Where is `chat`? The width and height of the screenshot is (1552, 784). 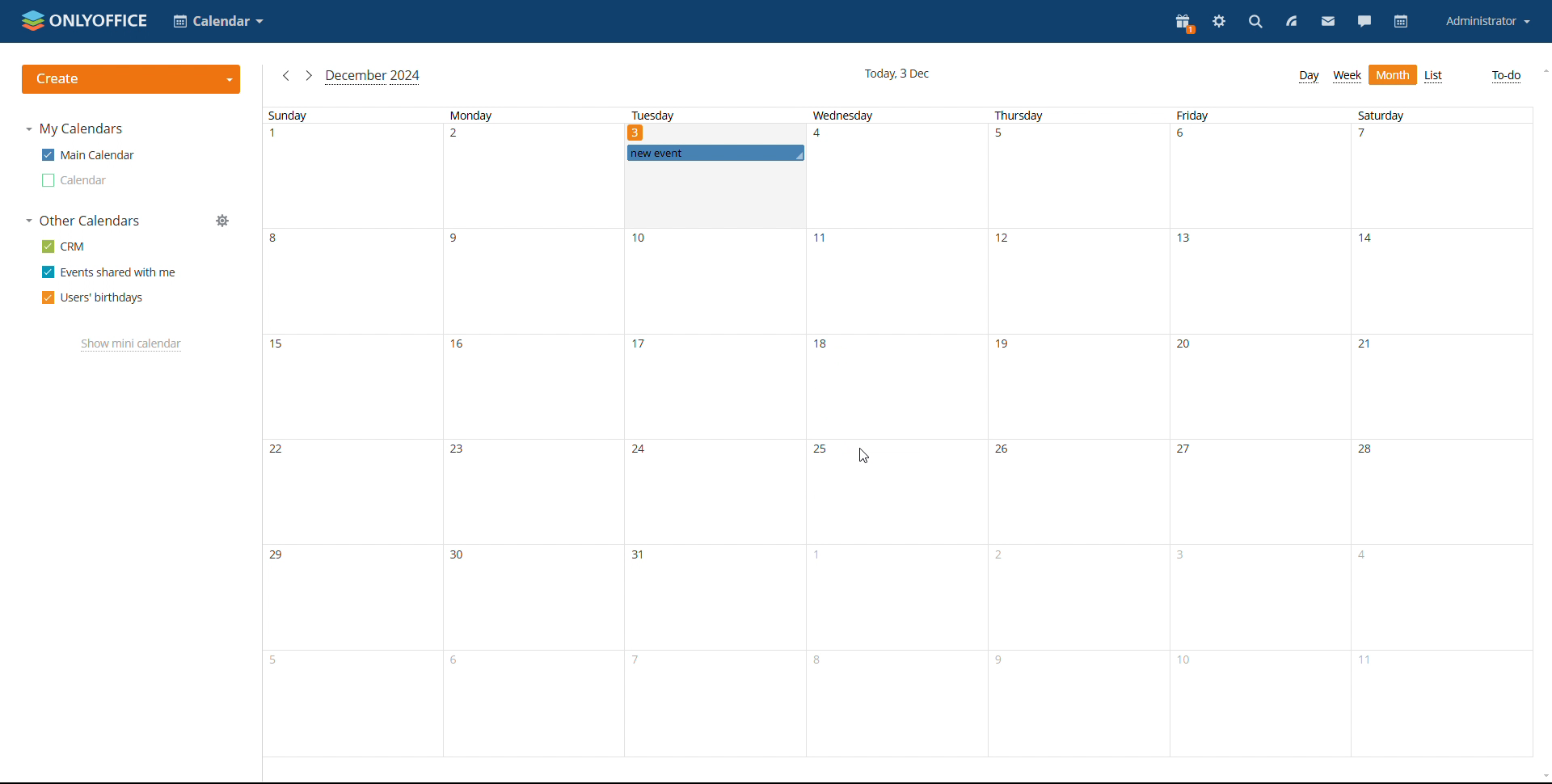 chat is located at coordinates (1364, 22).